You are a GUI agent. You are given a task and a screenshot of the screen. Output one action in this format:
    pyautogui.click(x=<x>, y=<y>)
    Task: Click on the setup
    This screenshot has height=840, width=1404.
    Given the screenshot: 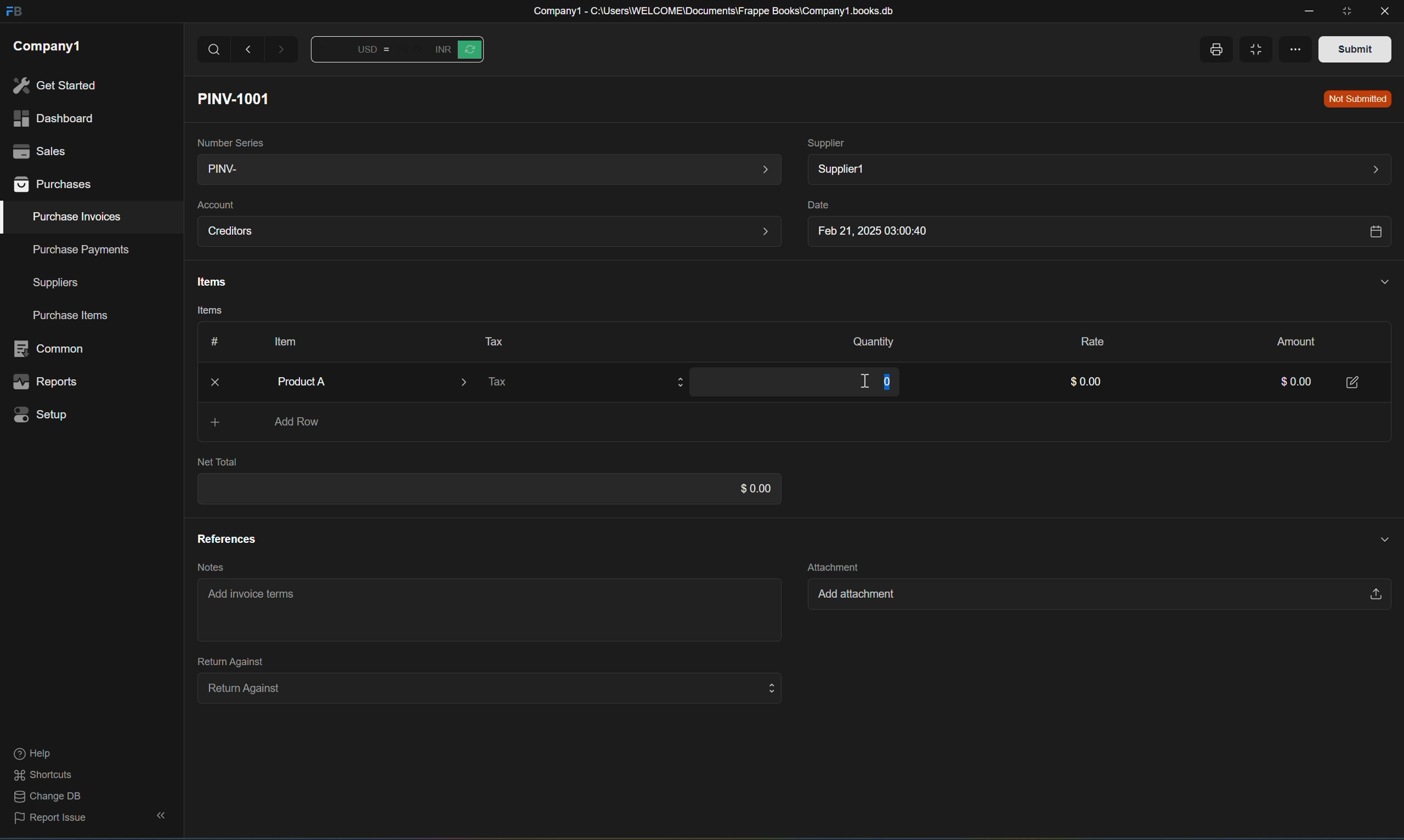 What is the action you would take?
    pyautogui.click(x=44, y=414)
    